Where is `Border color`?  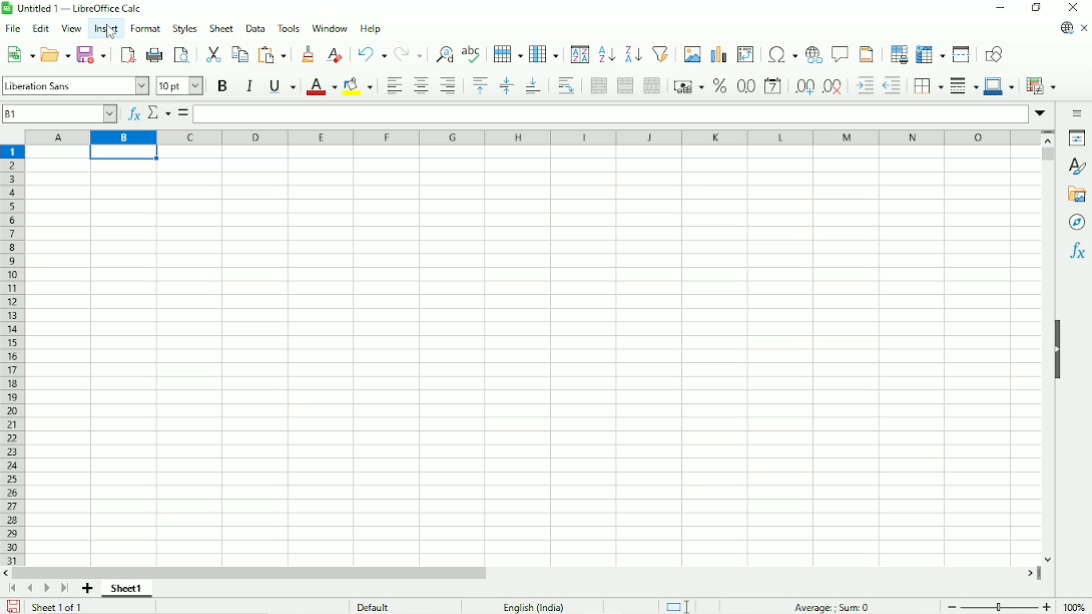 Border color is located at coordinates (1000, 86).